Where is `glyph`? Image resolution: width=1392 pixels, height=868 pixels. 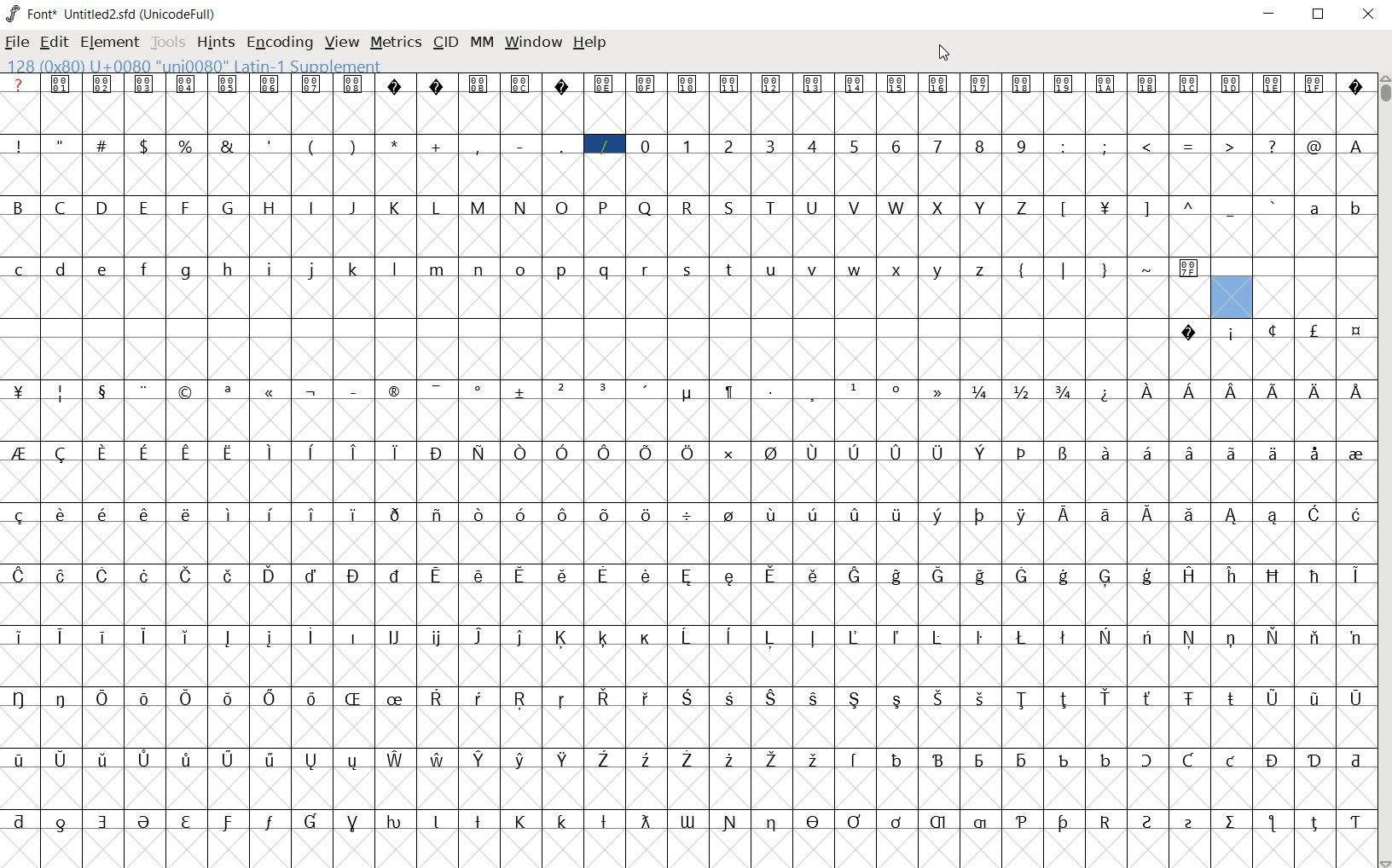
glyph is located at coordinates (896, 637).